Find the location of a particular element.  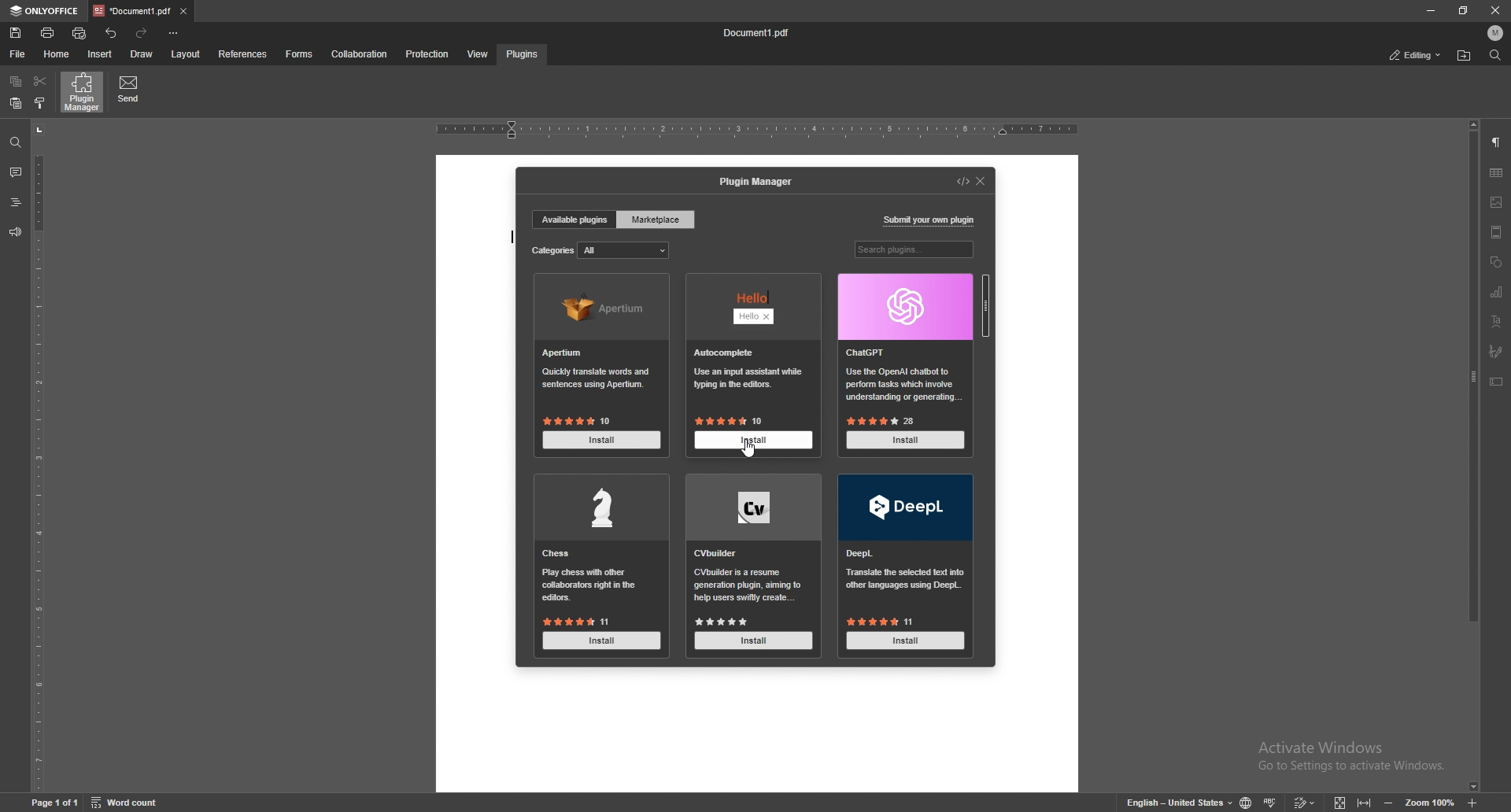

send is located at coordinates (131, 87).